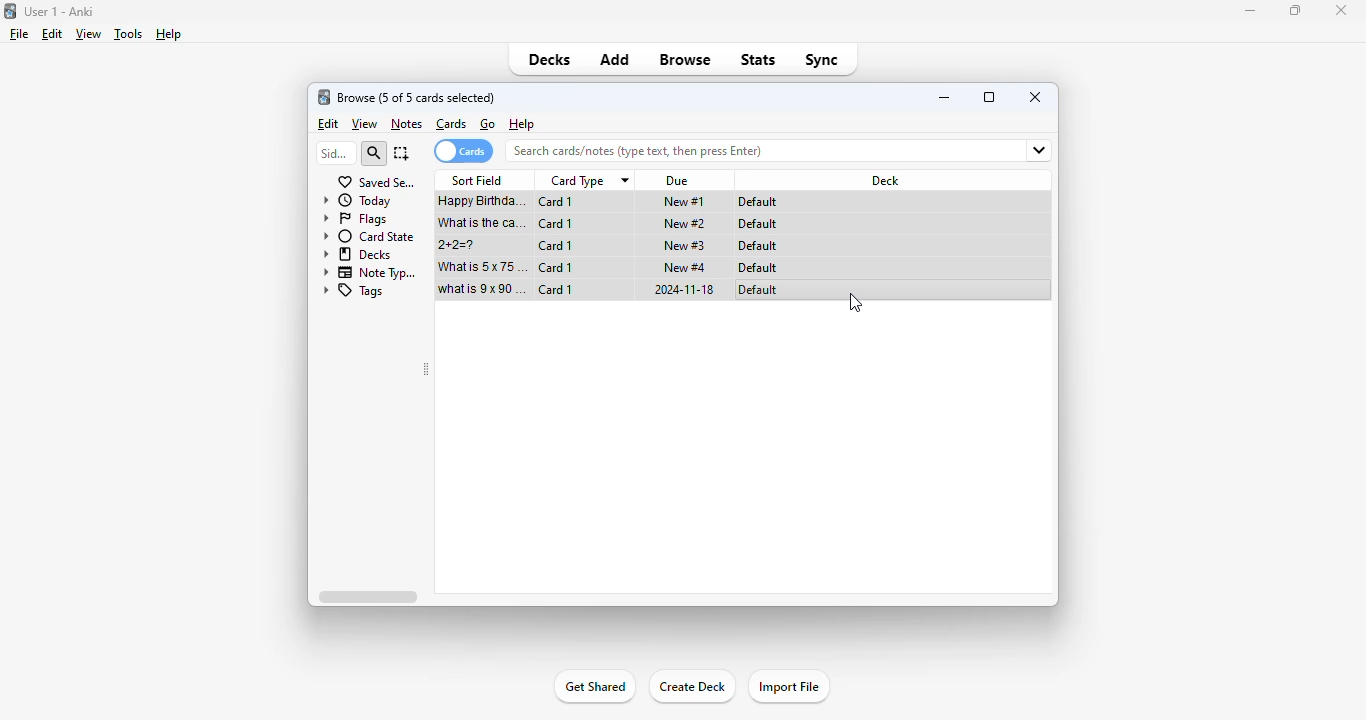 This screenshot has height=720, width=1366. I want to click on card 1, so click(555, 267).